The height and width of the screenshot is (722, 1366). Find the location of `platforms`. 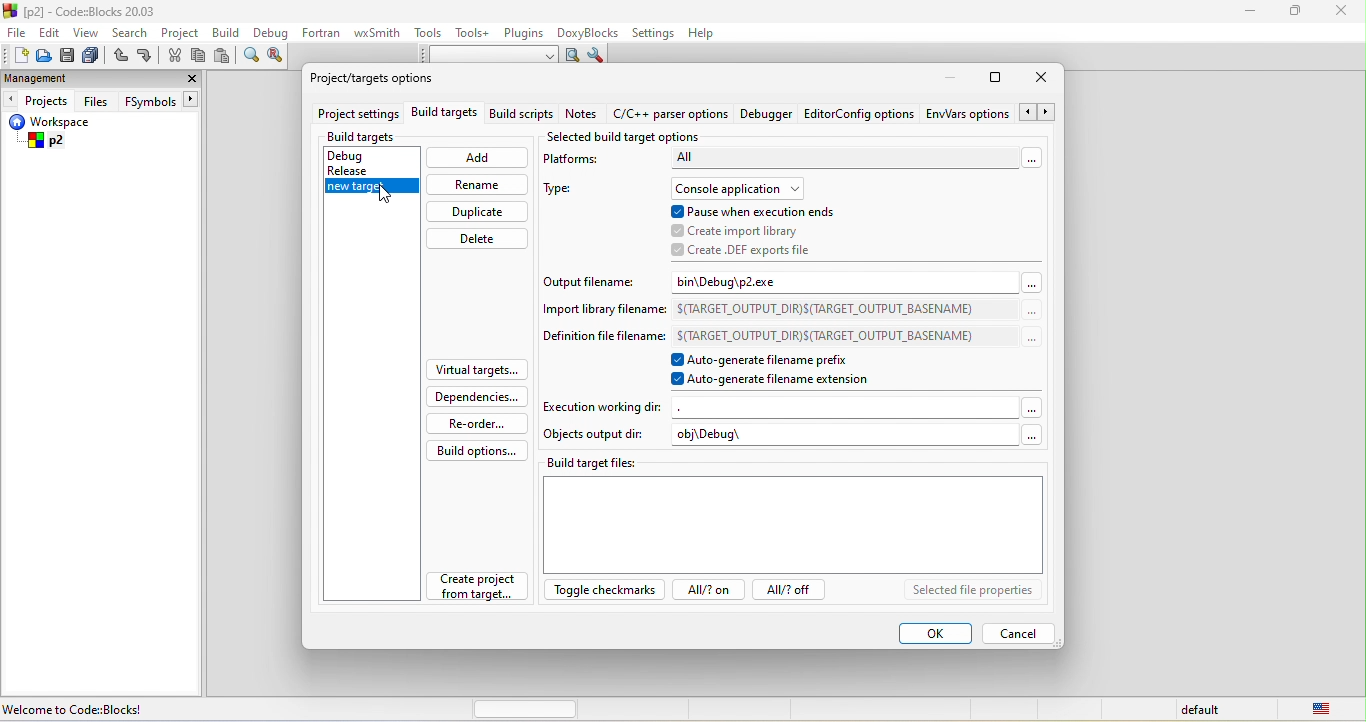

platforms is located at coordinates (584, 162).